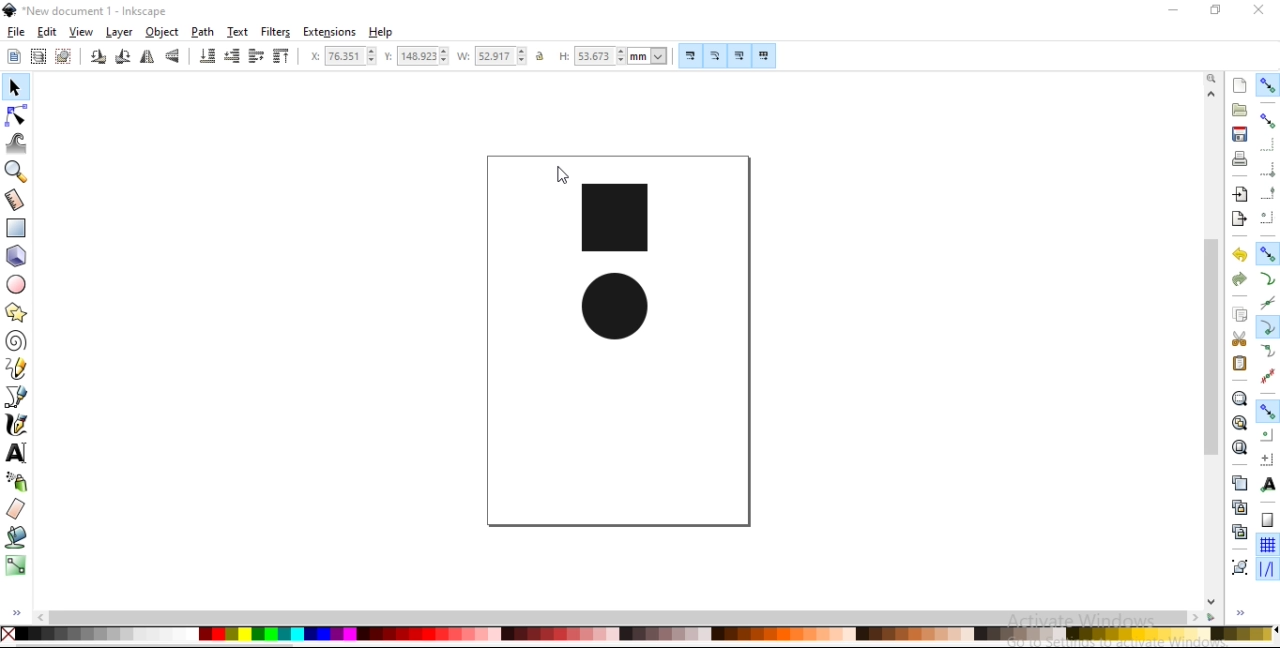  Describe the element at coordinates (765, 56) in the screenshot. I see `move patterns along with object` at that location.